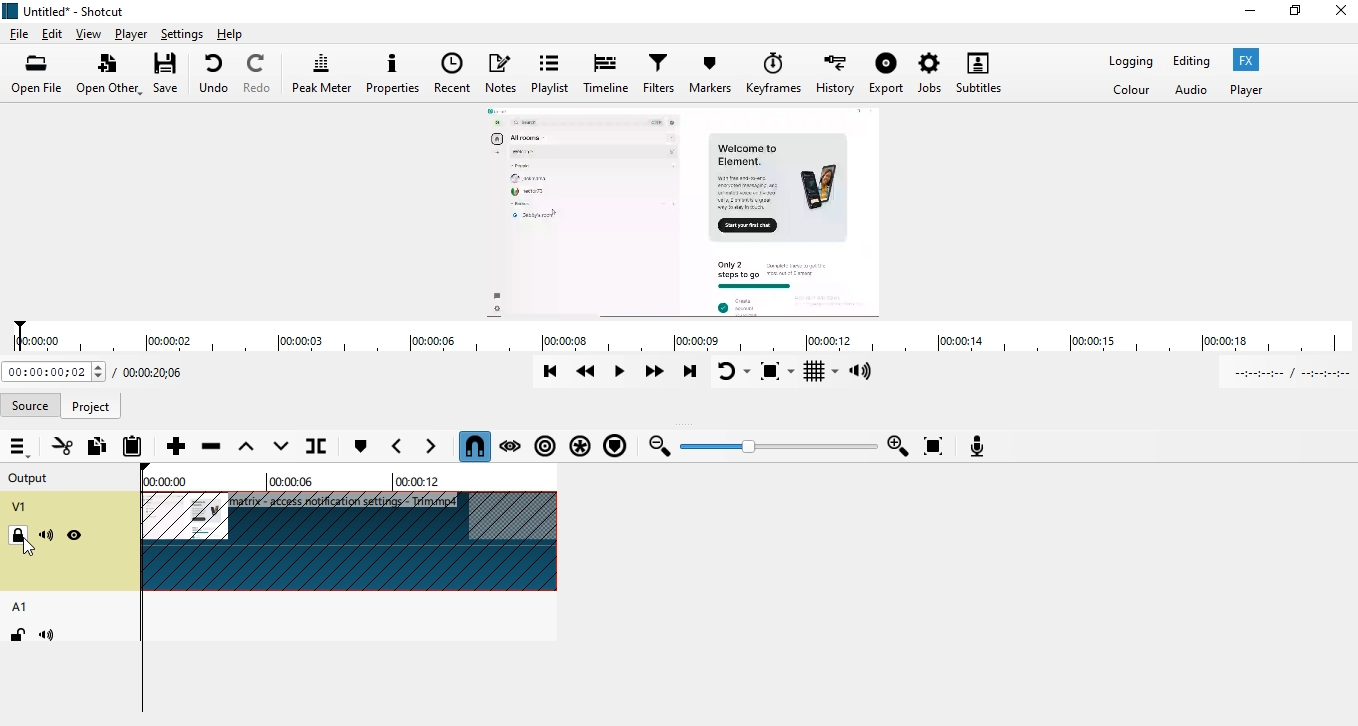 This screenshot has height=726, width=1358. Describe the element at coordinates (17, 633) in the screenshot. I see `lock` at that location.